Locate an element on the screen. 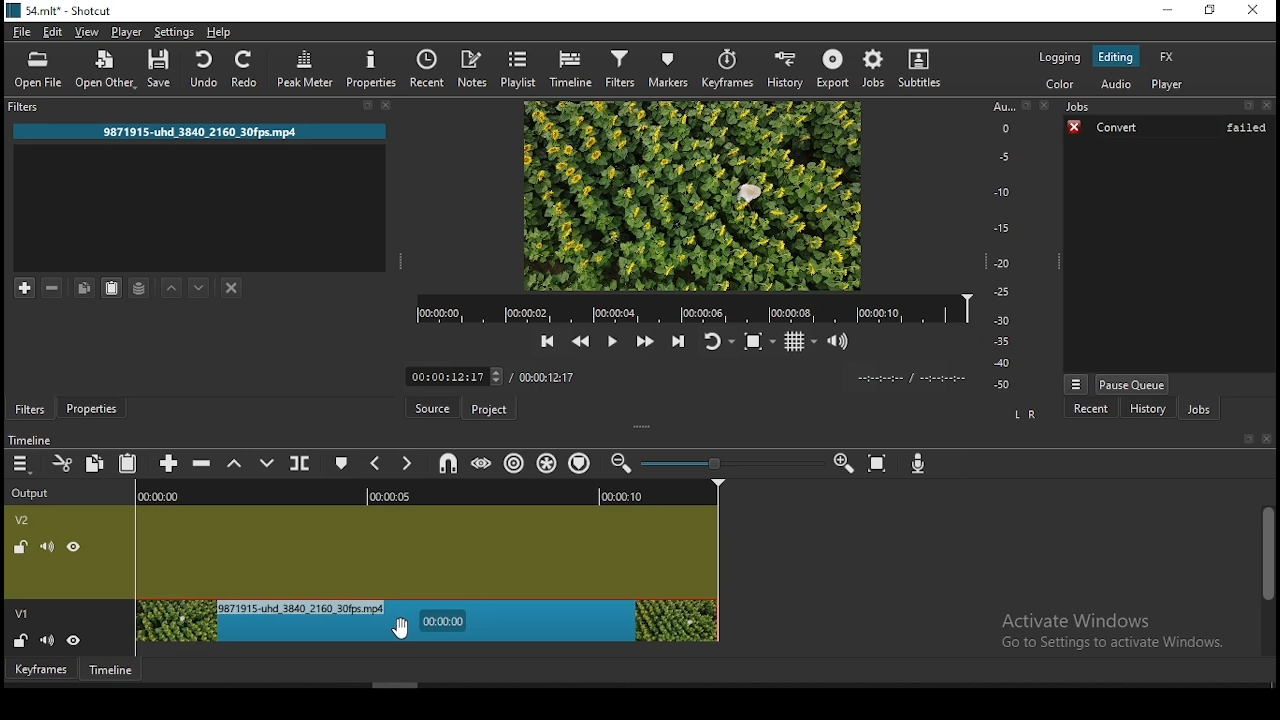  player is located at coordinates (1168, 83).